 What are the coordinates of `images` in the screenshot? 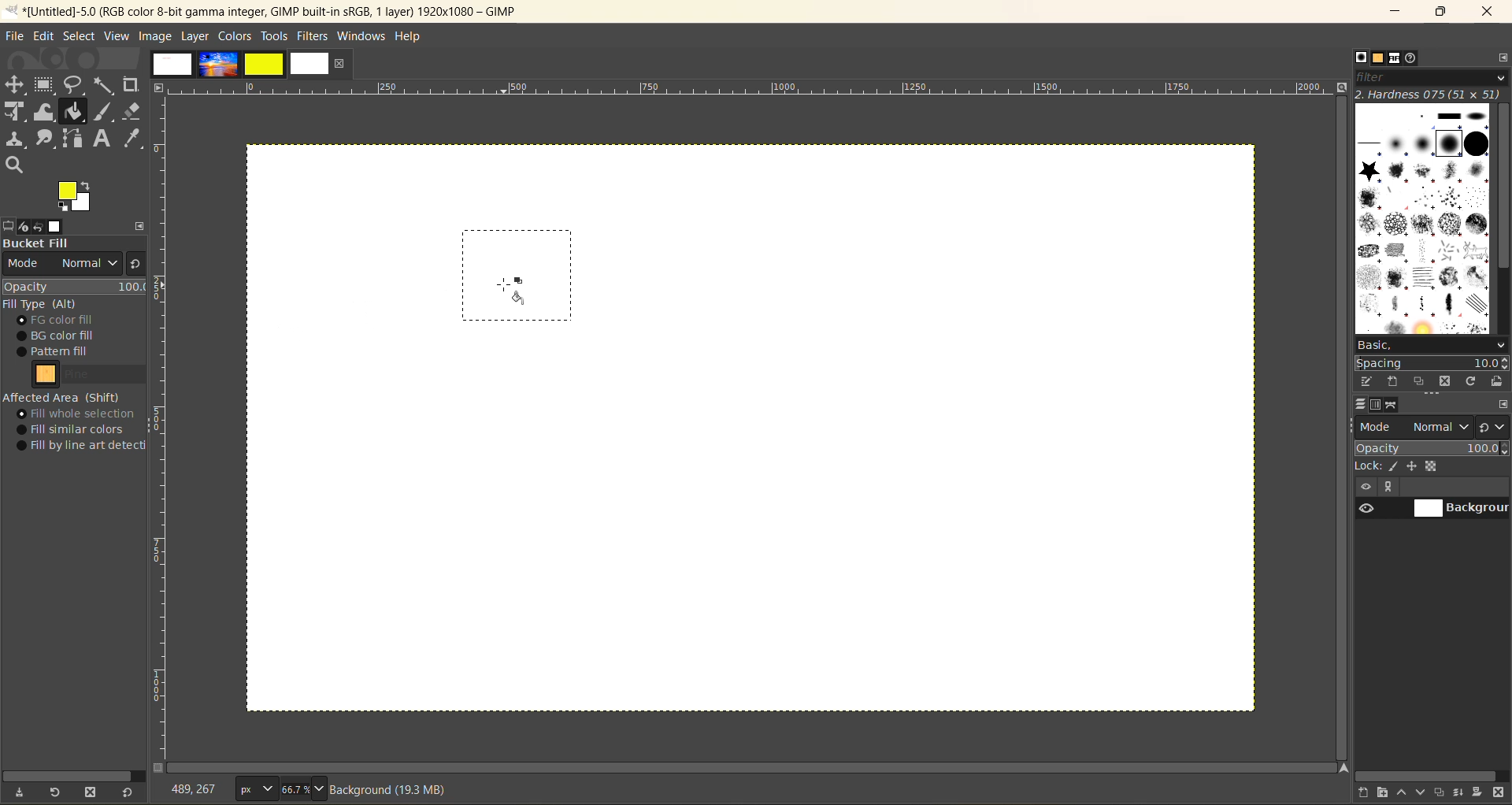 It's located at (59, 225).